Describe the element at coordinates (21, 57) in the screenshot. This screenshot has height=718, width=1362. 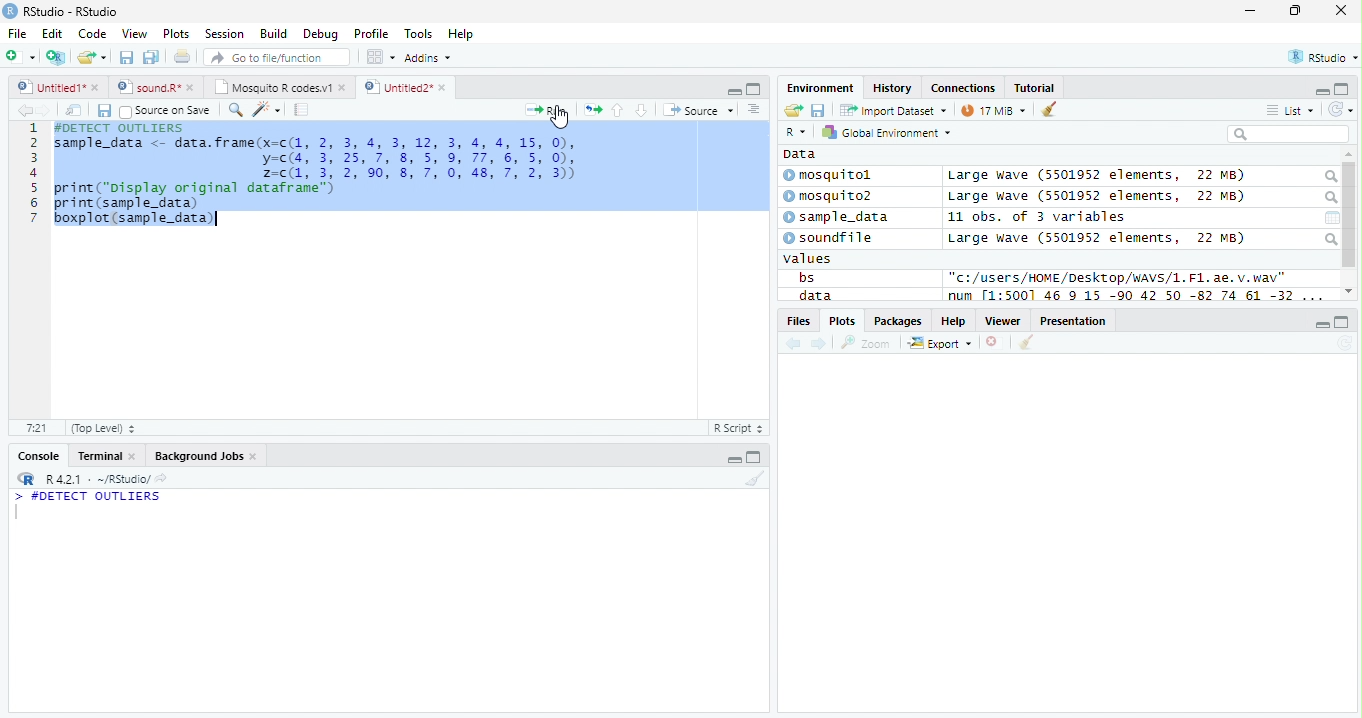
I see `new file` at that location.